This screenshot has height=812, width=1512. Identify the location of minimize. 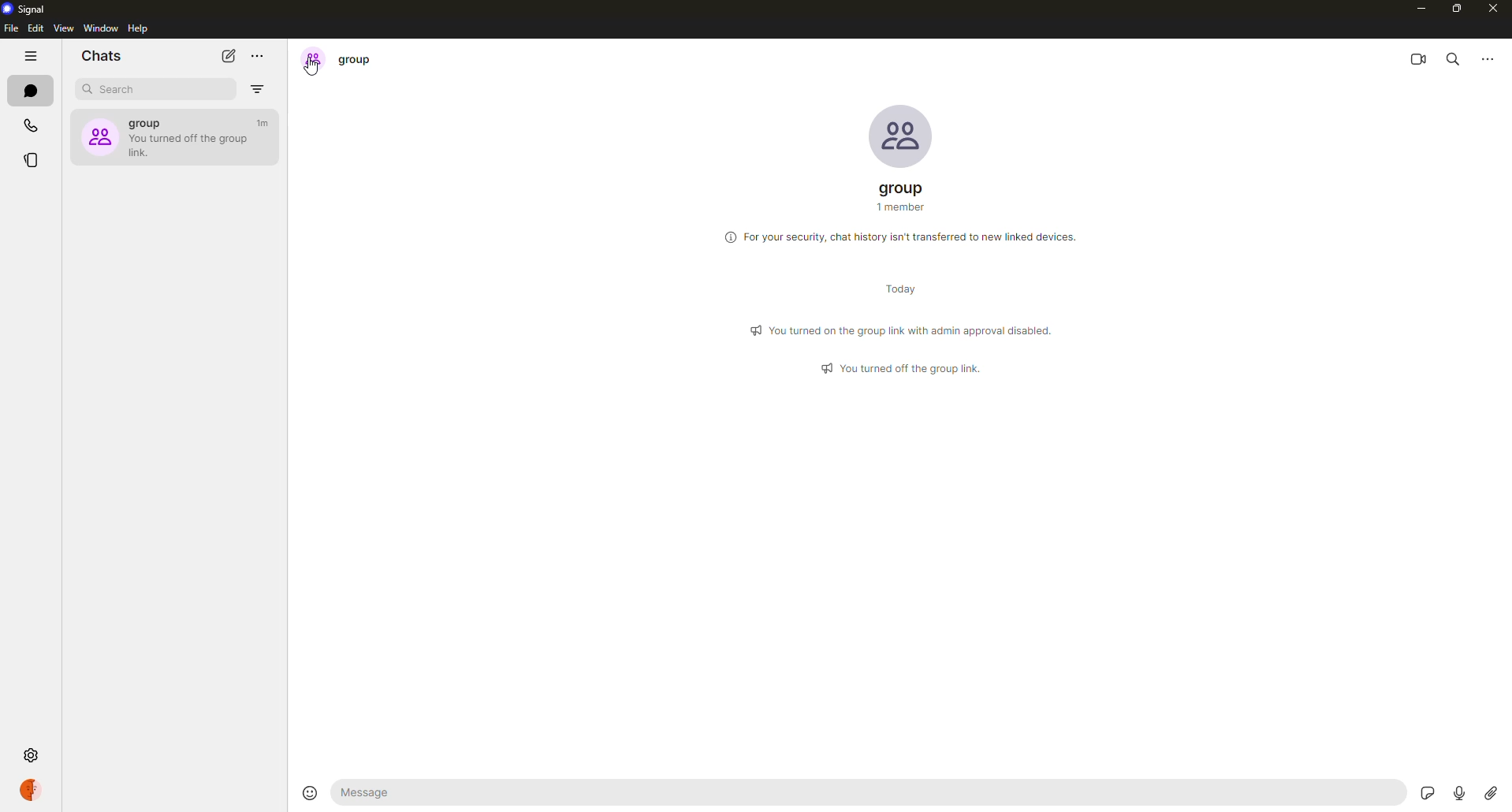
(1413, 8).